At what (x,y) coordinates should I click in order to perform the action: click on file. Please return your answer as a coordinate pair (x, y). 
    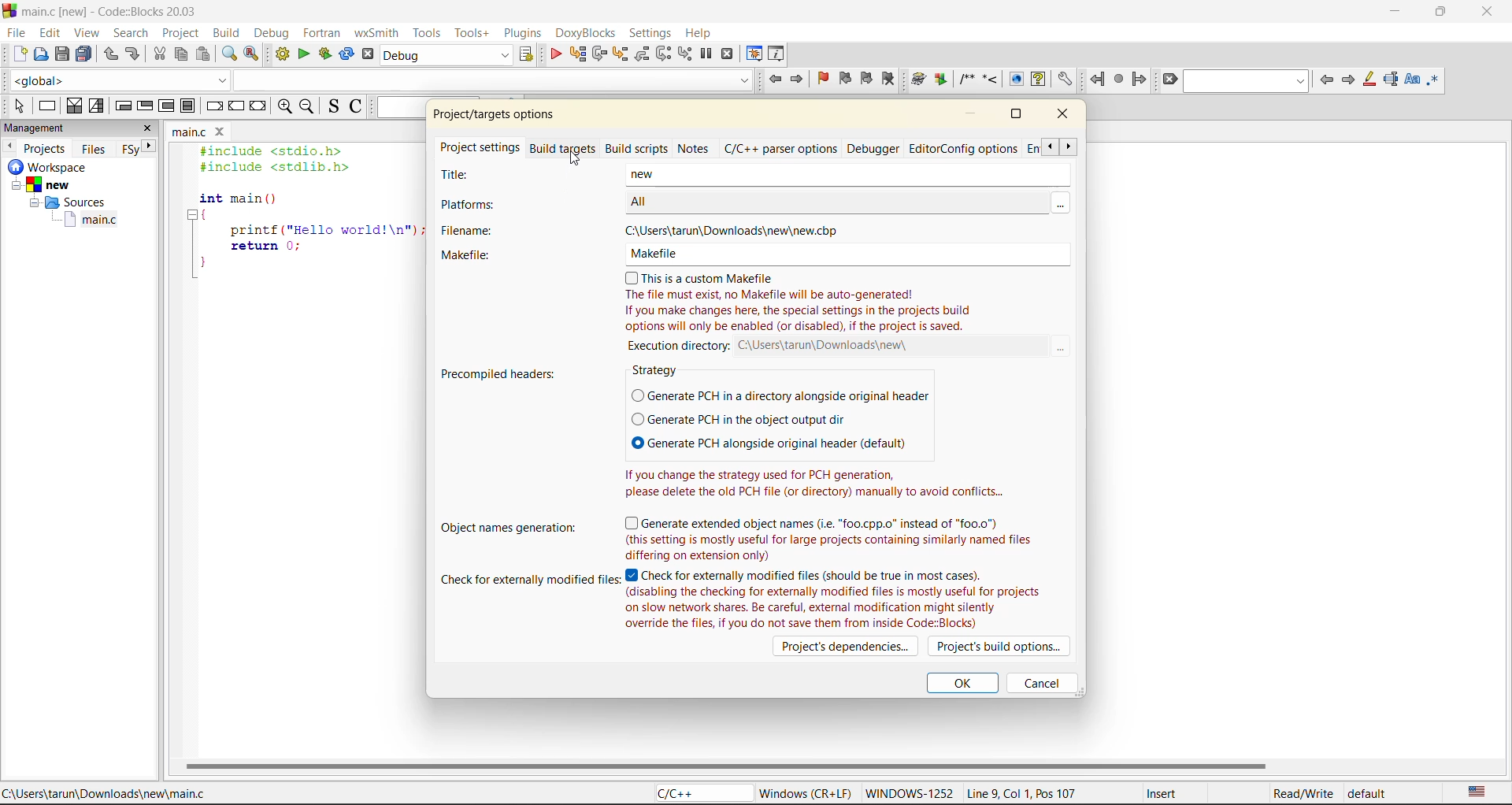
    Looking at the image, I should click on (17, 35).